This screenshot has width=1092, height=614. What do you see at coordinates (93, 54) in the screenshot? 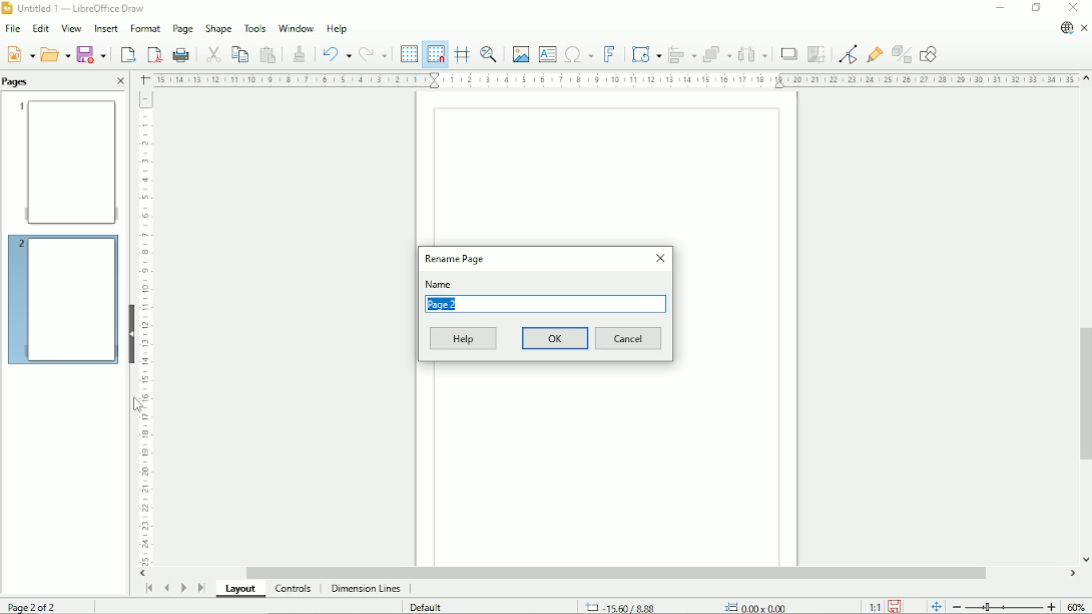
I see `Save` at bounding box center [93, 54].